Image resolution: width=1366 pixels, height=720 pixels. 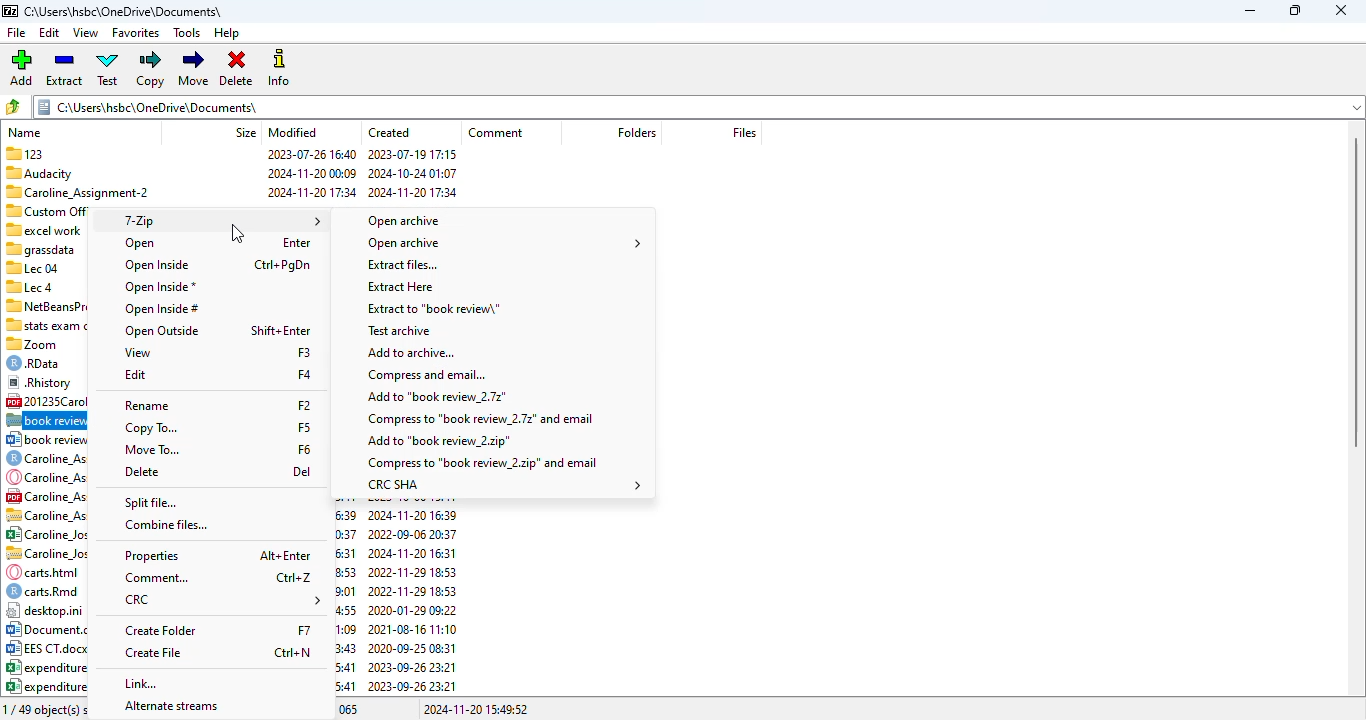 What do you see at coordinates (1250, 11) in the screenshot?
I see `minimize` at bounding box center [1250, 11].